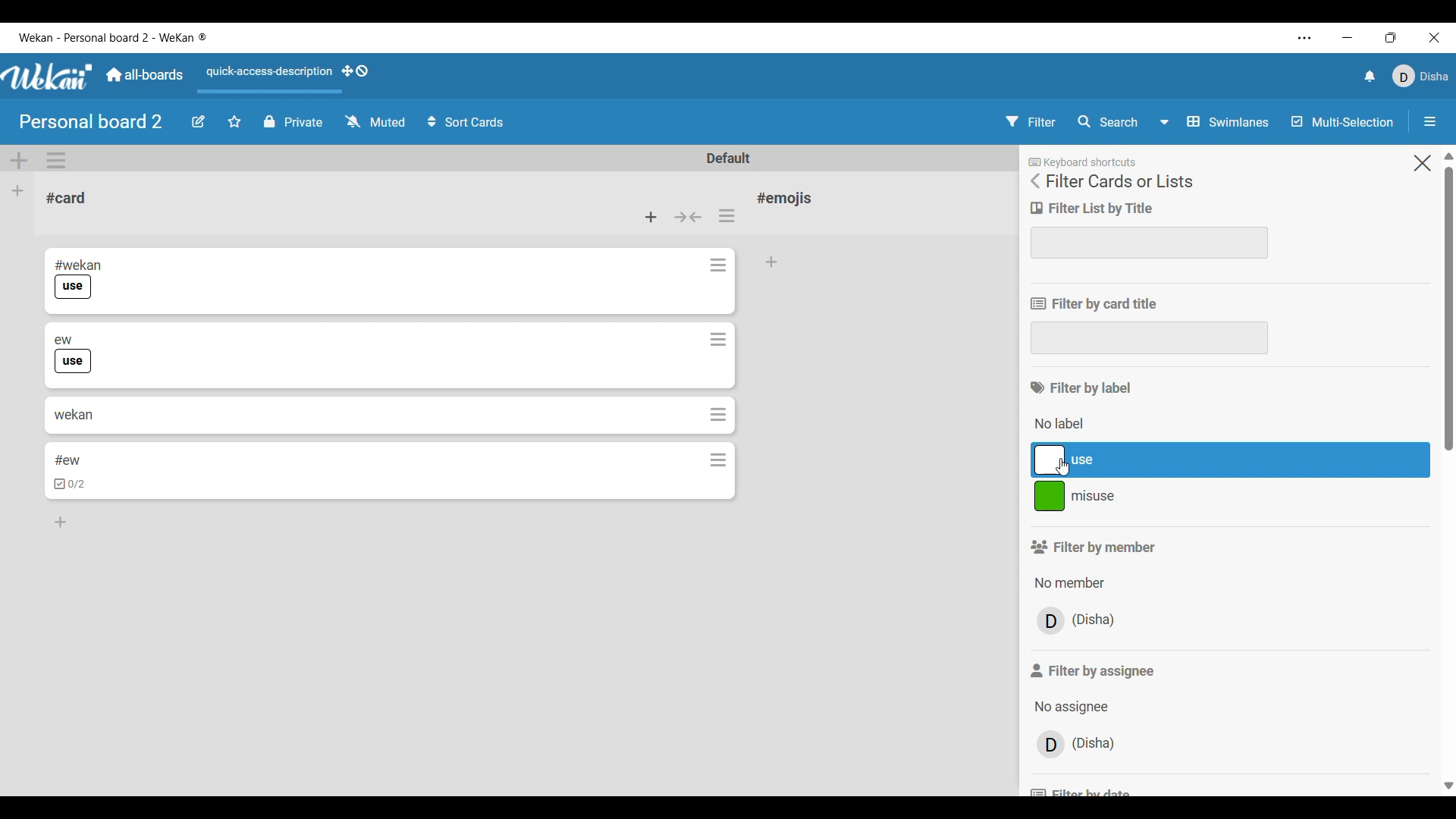 The width and height of the screenshot is (1456, 819). What do you see at coordinates (1094, 304) in the screenshot?
I see `Filter title` at bounding box center [1094, 304].